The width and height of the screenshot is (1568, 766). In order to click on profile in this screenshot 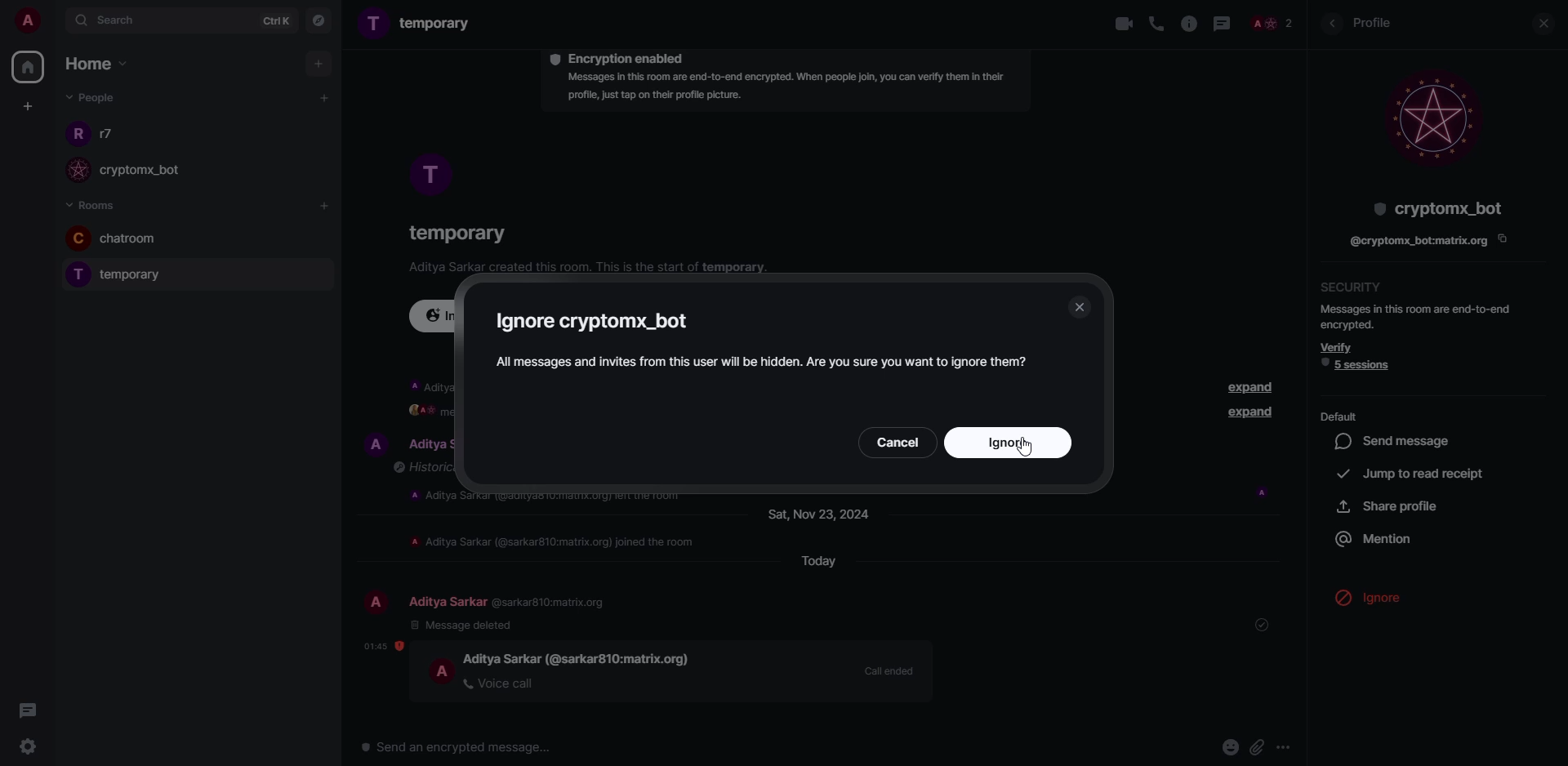, I will do `click(74, 137)`.